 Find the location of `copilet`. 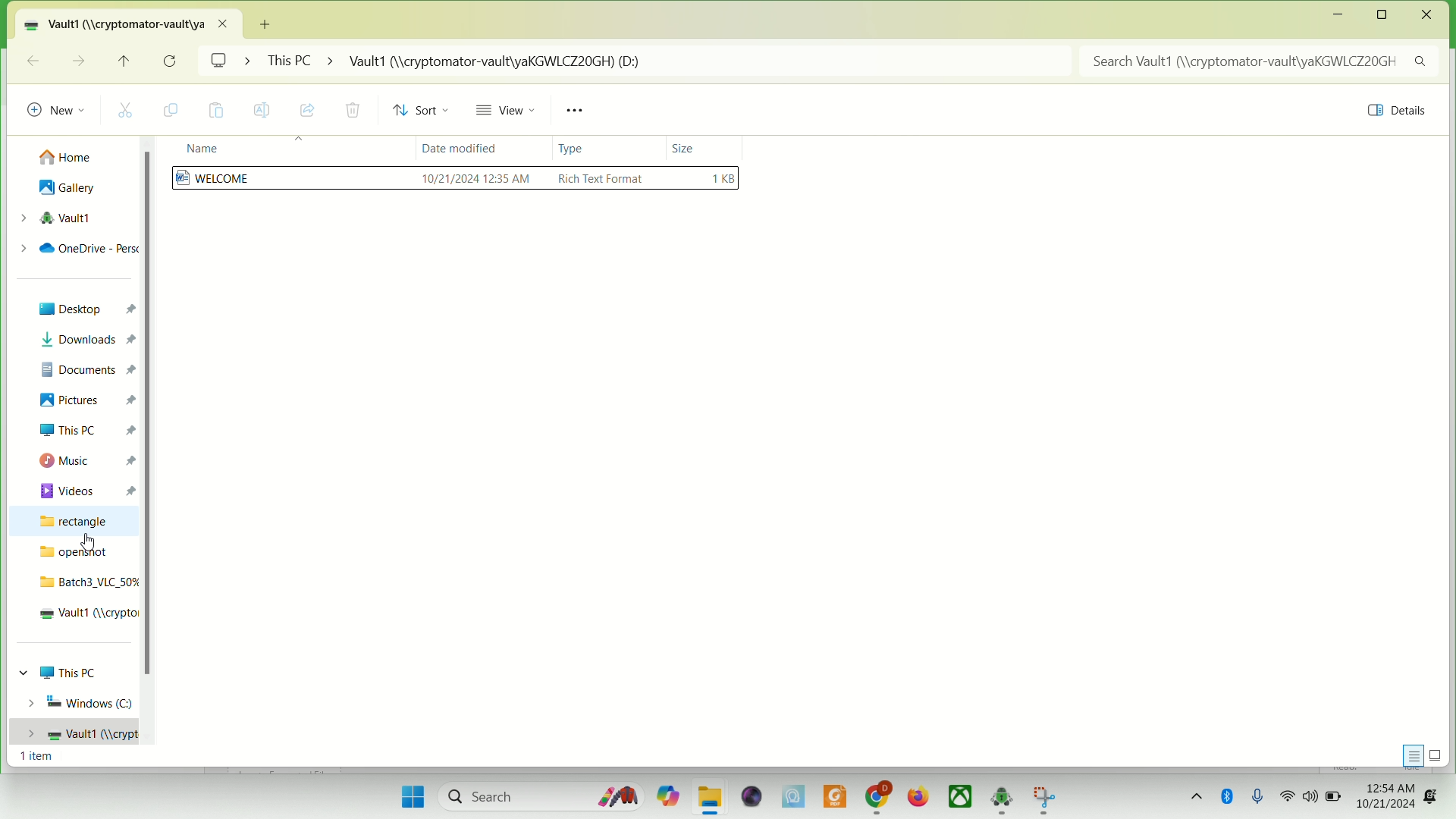

copilet is located at coordinates (664, 796).